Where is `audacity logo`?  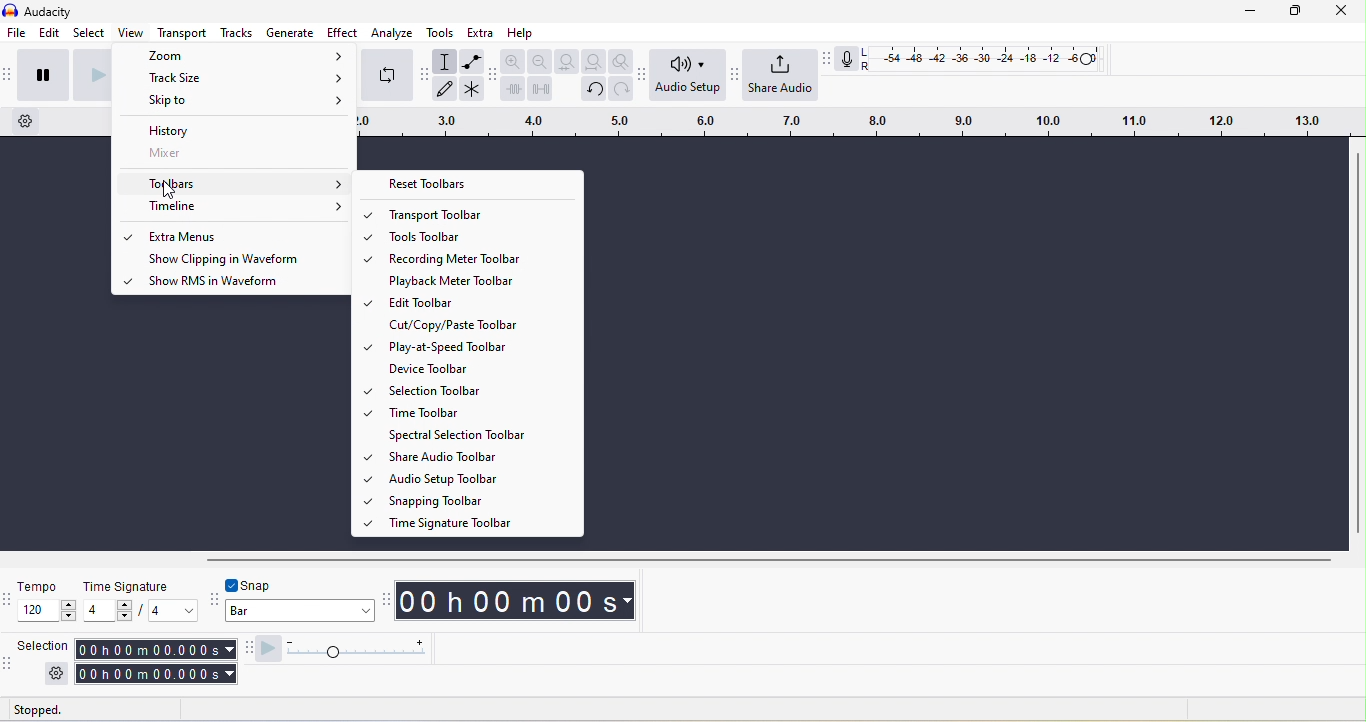 audacity logo is located at coordinates (10, 10).